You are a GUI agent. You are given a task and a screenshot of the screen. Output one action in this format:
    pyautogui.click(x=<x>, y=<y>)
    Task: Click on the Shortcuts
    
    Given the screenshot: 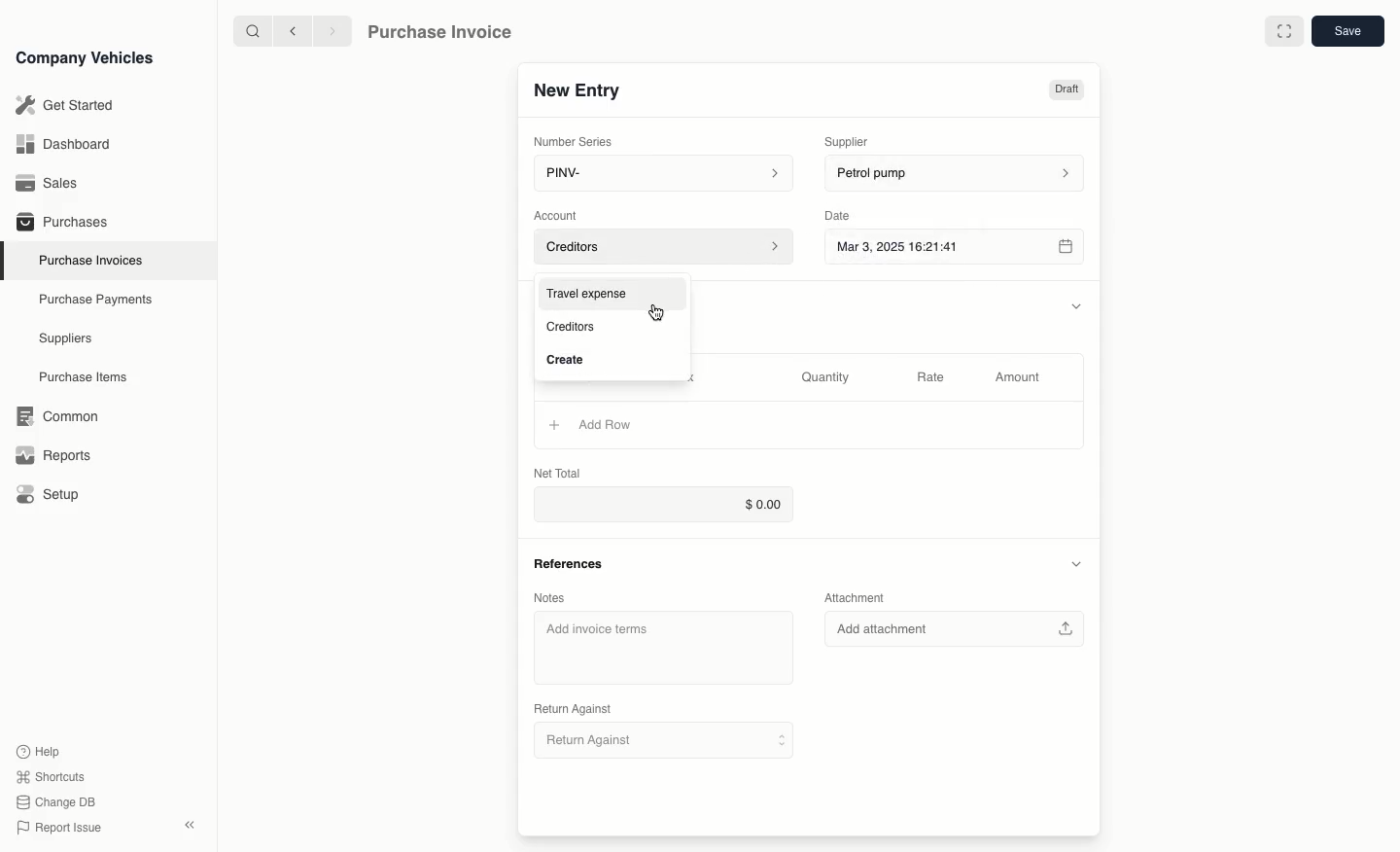 What is the action you would take?
    pyautogui.click(x=52, y=778)
    